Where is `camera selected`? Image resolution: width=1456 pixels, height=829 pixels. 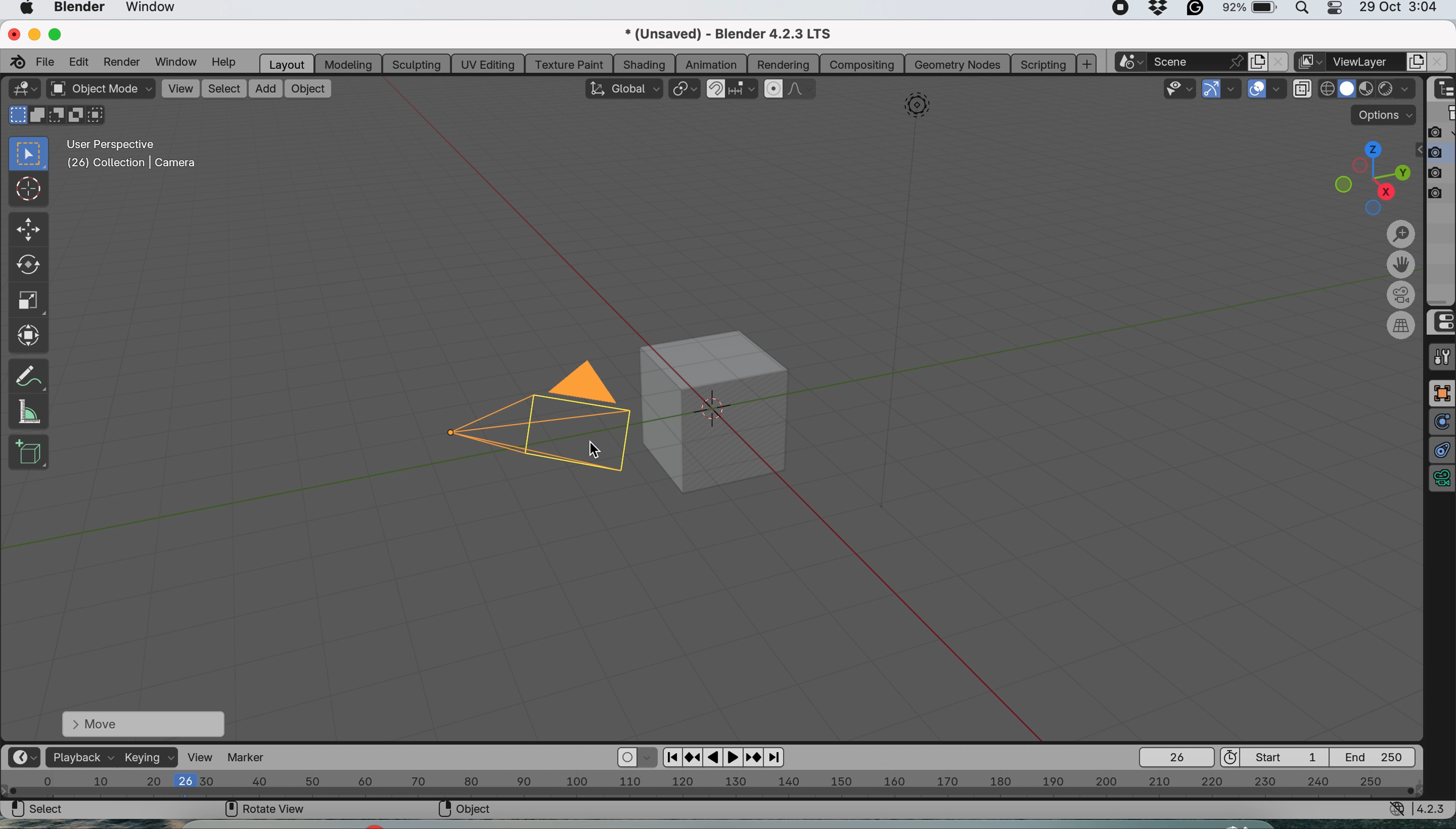 camera selected is located at coordinates (539, 416).